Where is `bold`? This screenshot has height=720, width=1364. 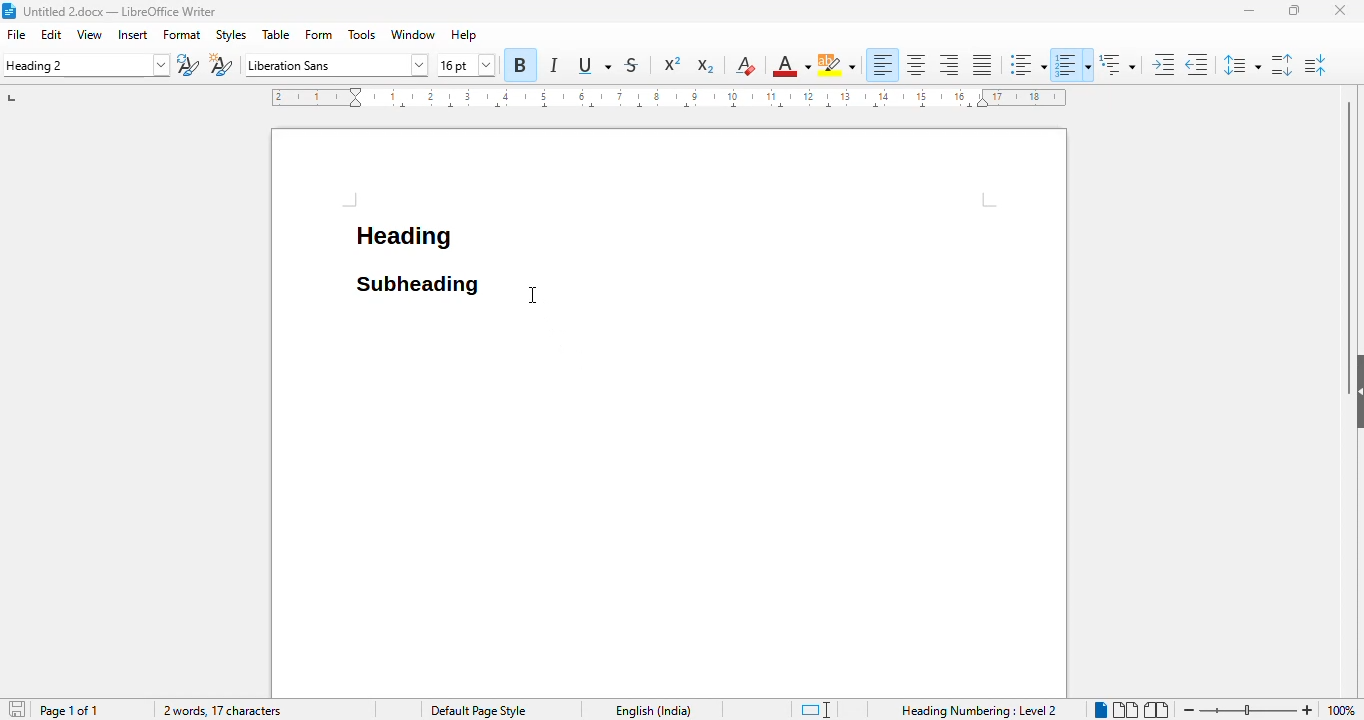 bold is located at coordinates (519, 65).